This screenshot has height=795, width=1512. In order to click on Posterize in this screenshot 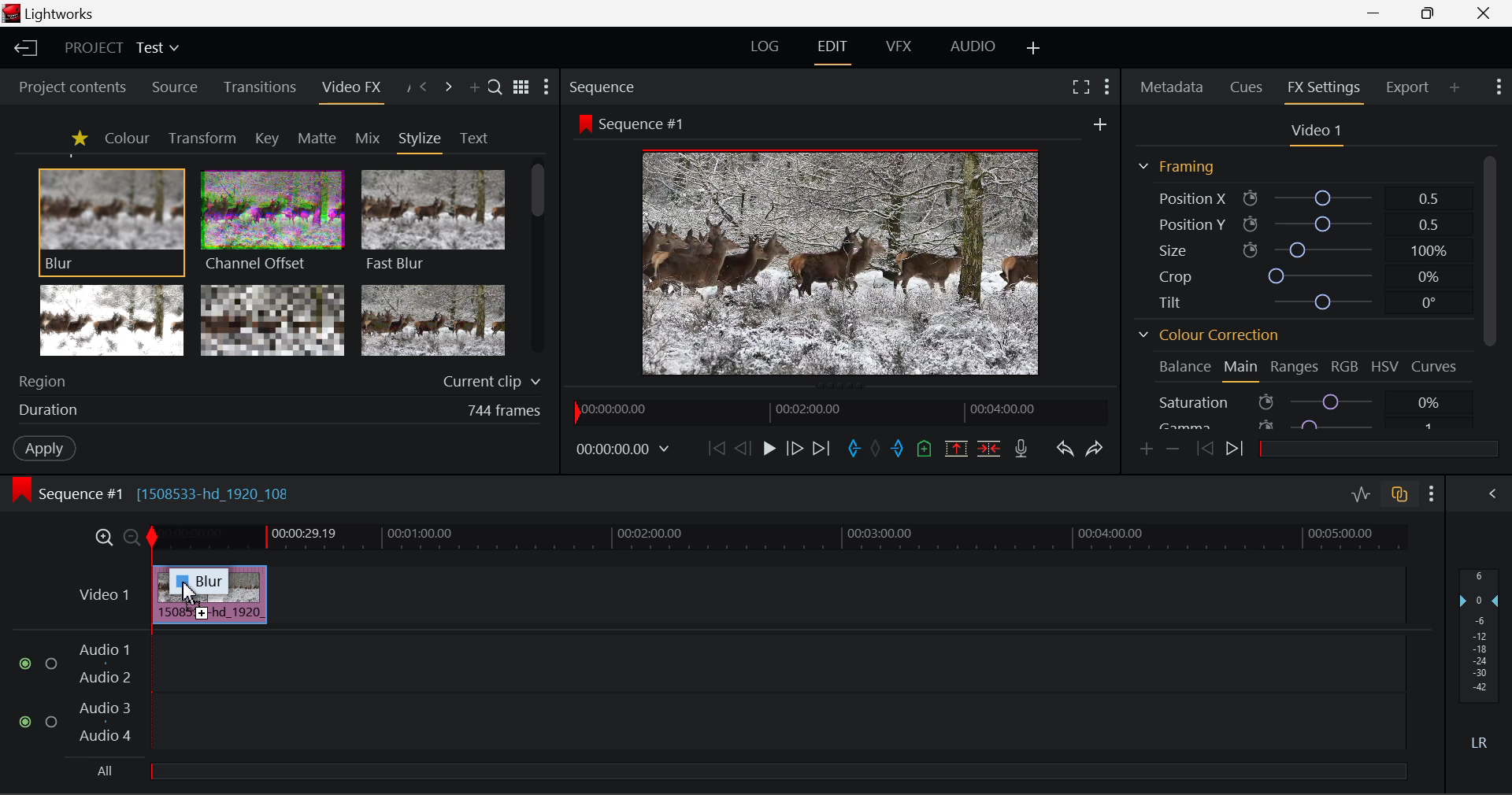, I will do `click(435, 321)`.